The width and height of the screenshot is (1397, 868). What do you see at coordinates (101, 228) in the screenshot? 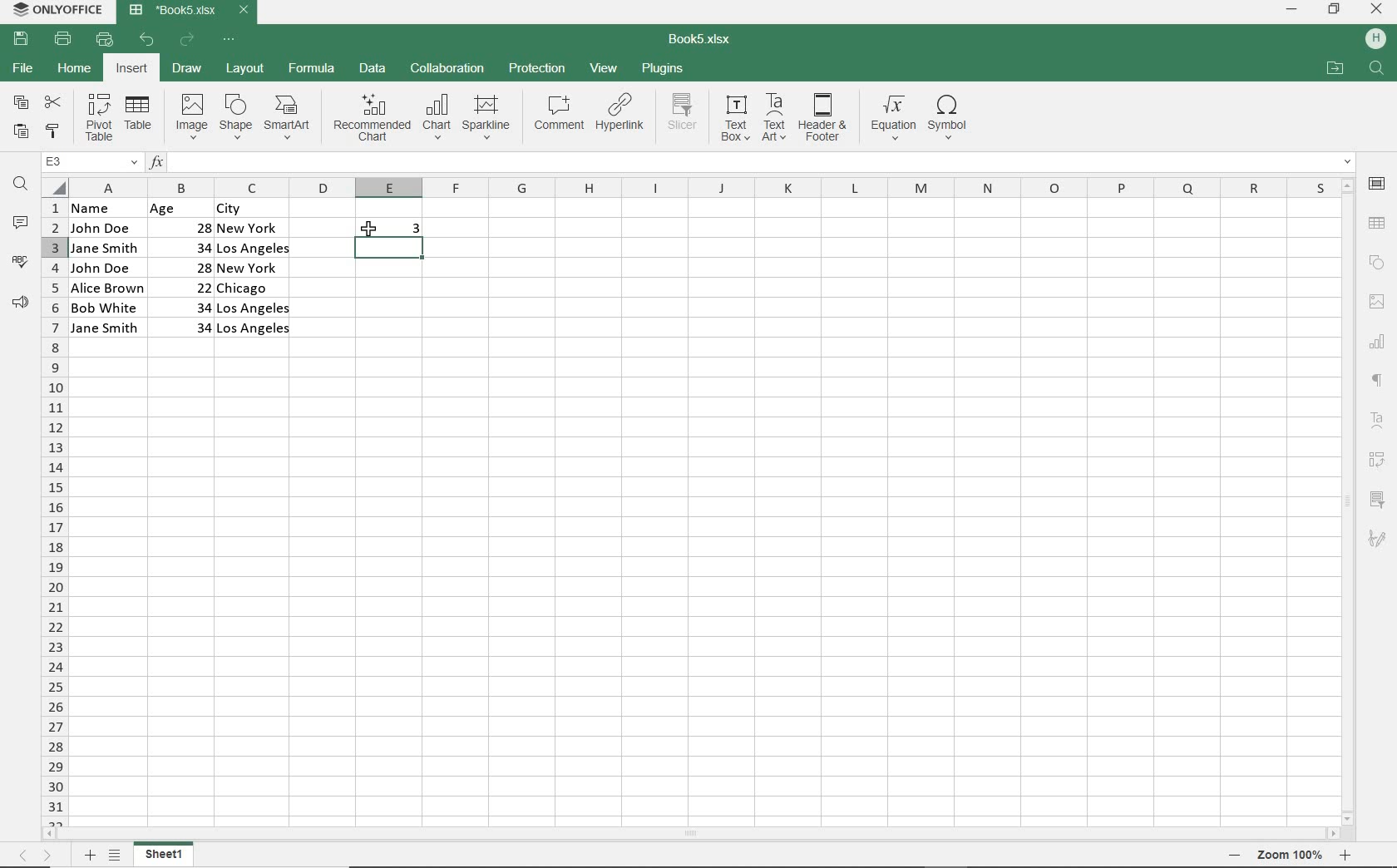
I see `John Doe` at bounding box center [101, 228].